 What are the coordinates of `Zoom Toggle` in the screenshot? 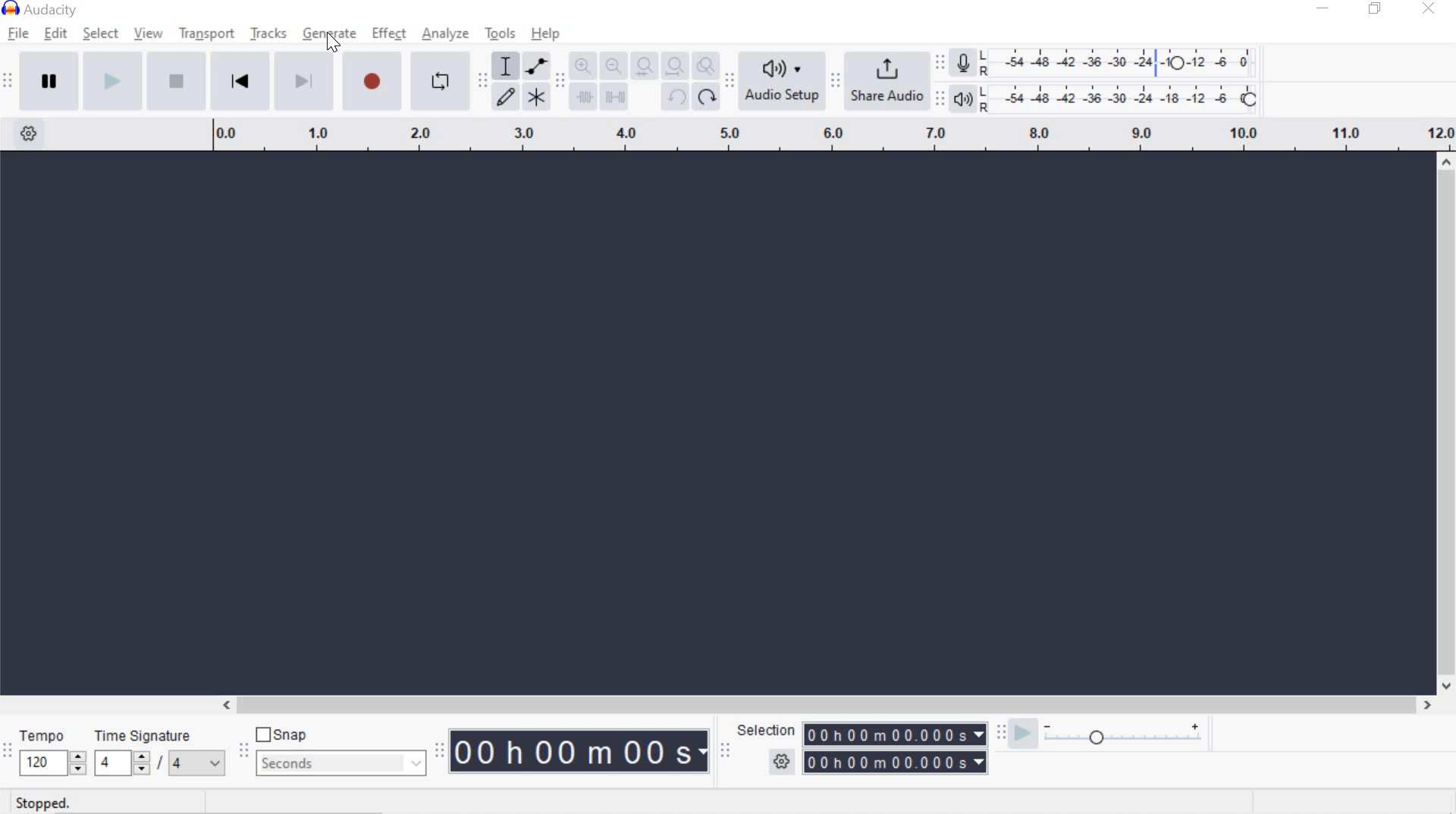 It's located at (704, 68).